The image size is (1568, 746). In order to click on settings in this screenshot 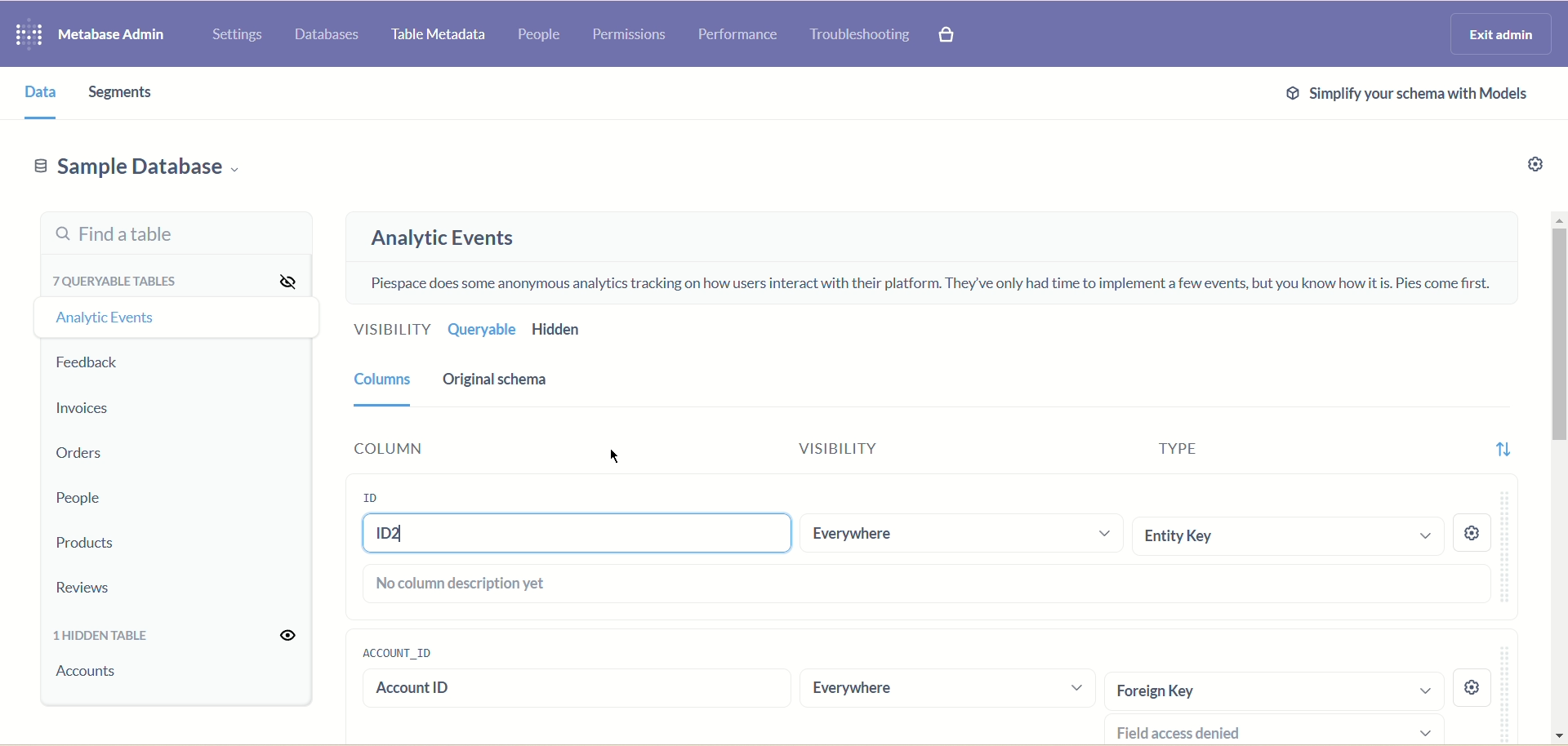, I will do `click(1474, 690)`.